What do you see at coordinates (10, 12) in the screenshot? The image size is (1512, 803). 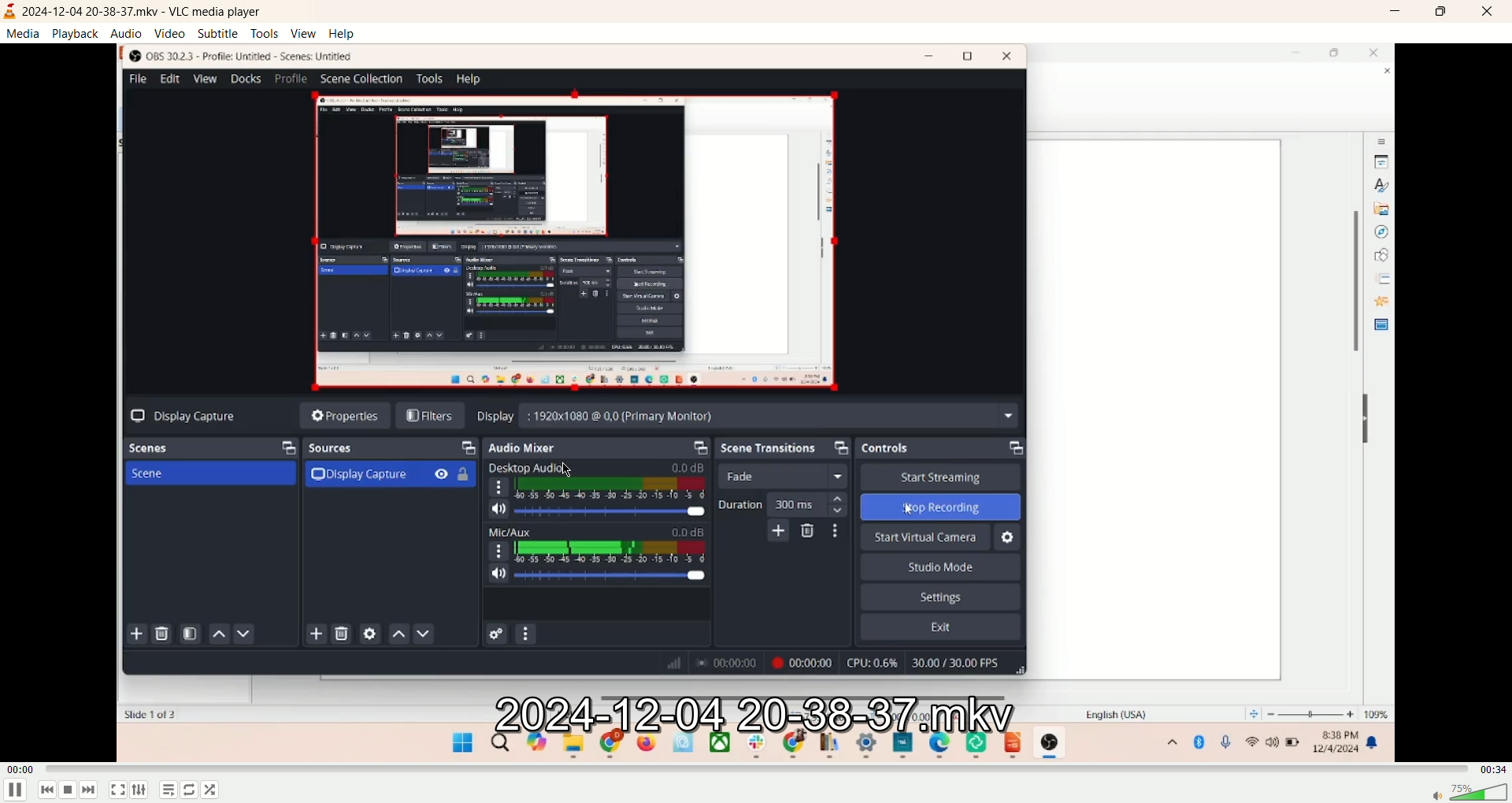 I see `logo` at bounding box center [10, 12].